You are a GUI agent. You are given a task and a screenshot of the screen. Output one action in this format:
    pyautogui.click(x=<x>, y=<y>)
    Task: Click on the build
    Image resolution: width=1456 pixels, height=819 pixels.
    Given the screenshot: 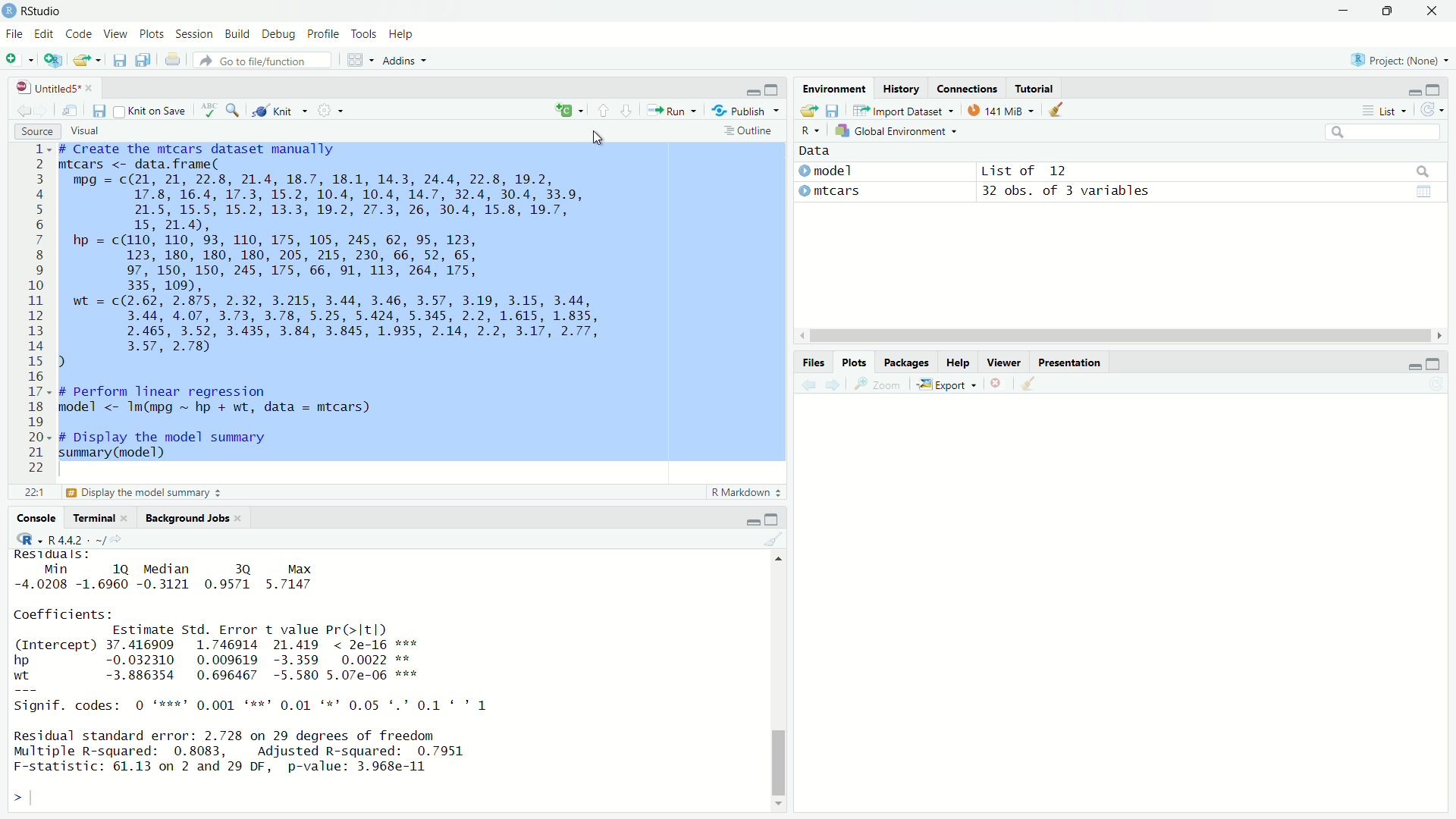 What is the action you would take?
    pyautogui.click(x=236, y=34)
    